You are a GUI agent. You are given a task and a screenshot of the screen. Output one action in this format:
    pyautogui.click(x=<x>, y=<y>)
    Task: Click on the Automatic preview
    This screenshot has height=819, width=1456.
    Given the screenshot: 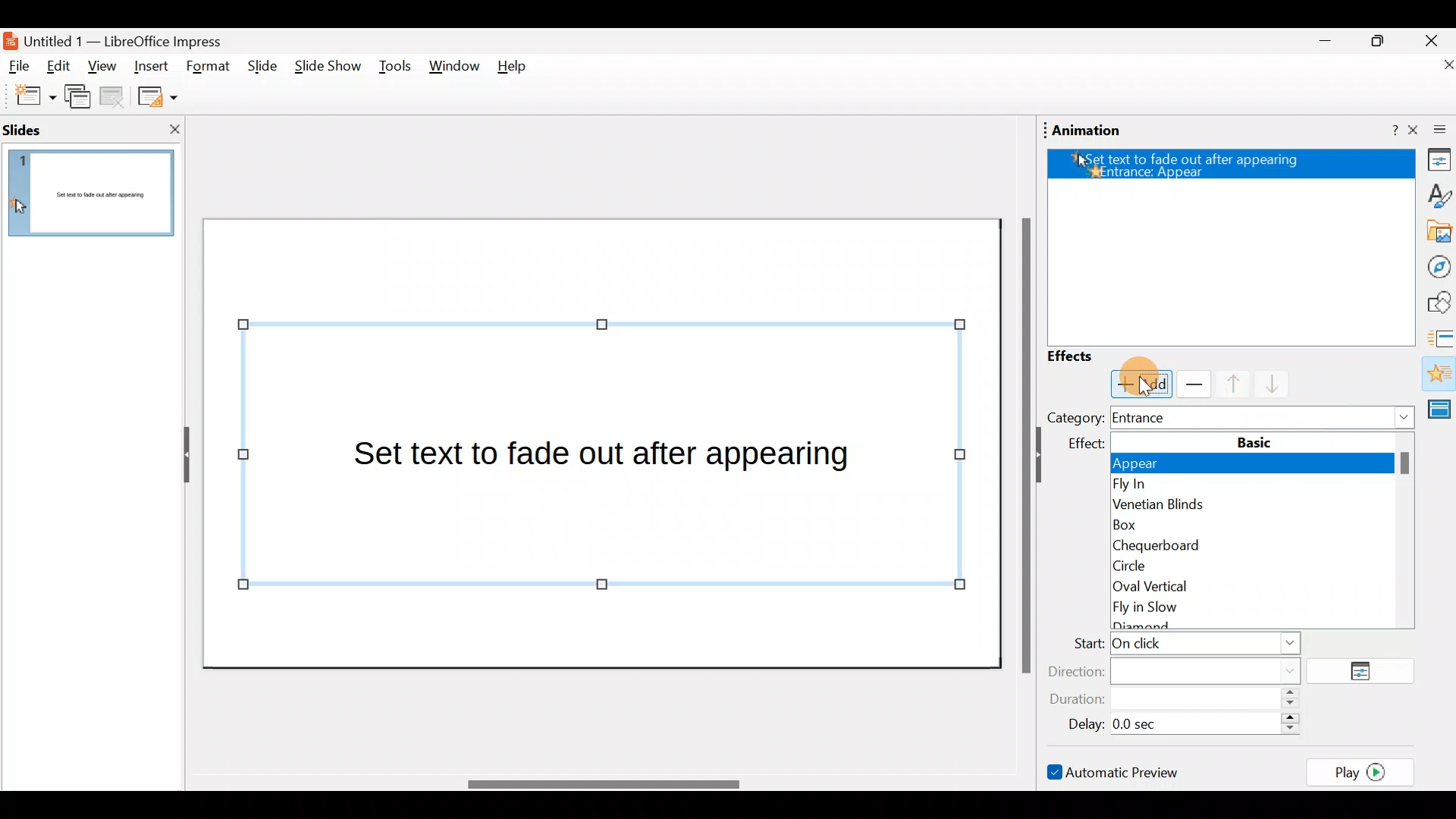 What is the action you would take?
    pyautogui.click(x=1116, y=771)
    